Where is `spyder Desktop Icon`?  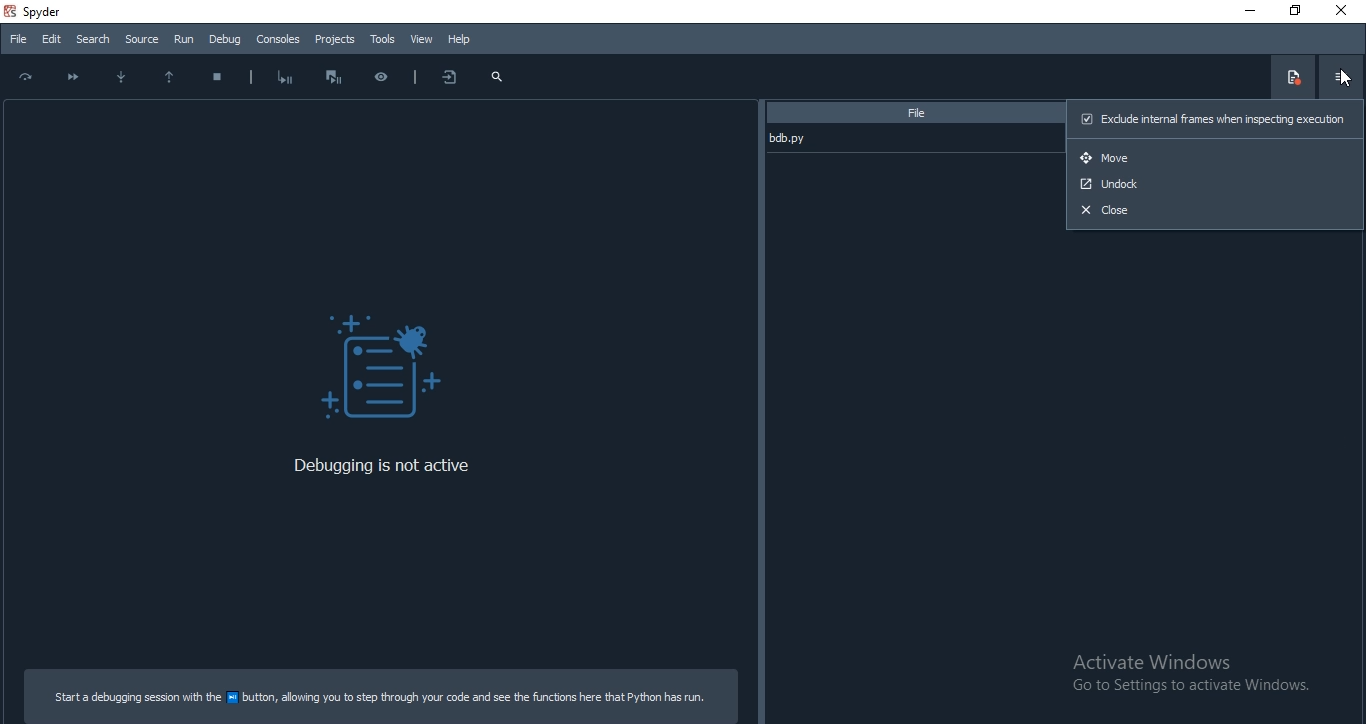 spyder Desktop Icon is located at coordinates (35, 11).